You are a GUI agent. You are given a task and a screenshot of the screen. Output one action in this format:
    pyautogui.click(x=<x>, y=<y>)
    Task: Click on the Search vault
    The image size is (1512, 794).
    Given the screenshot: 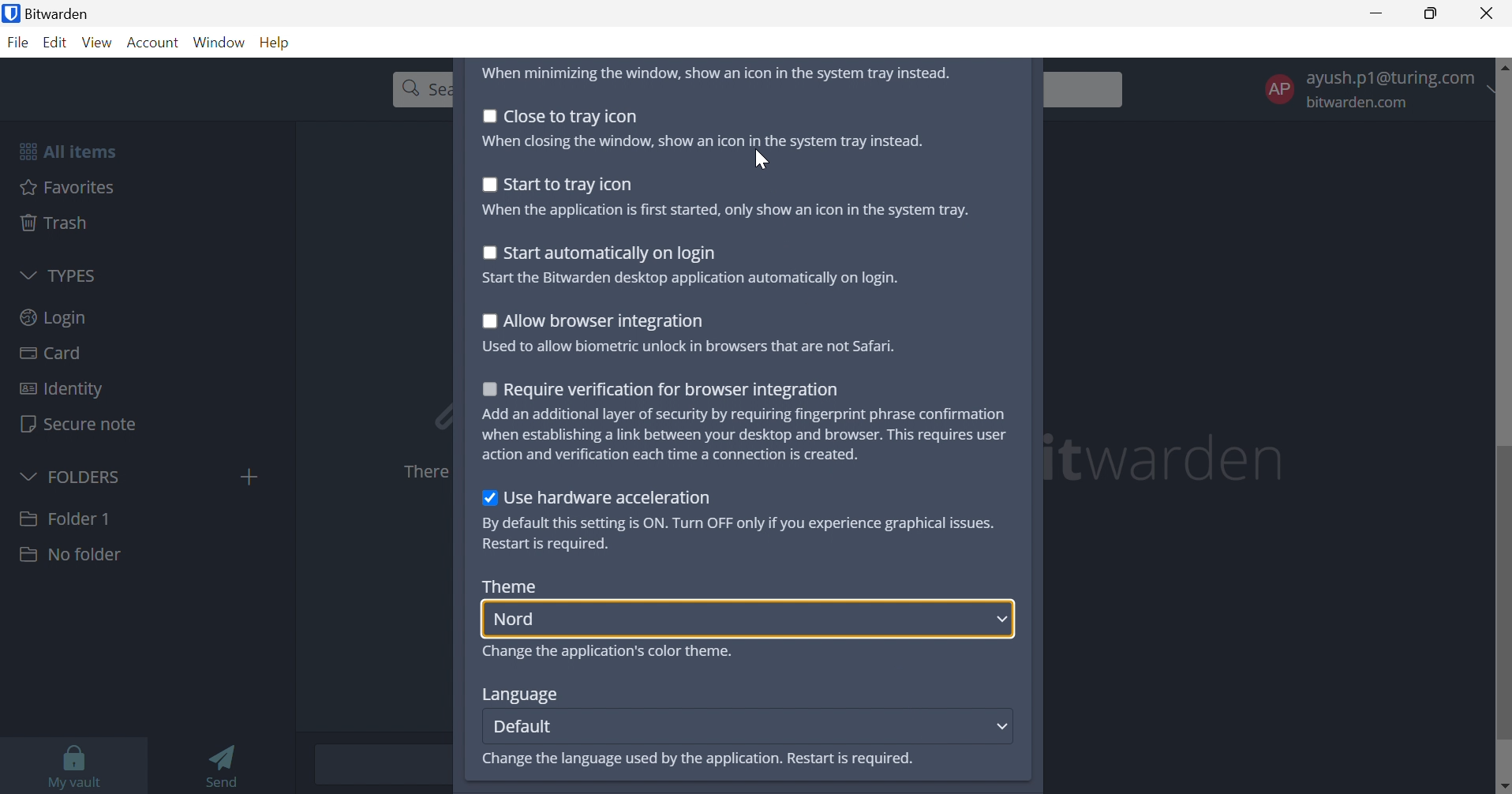 What is the action you would take?
    pyautogui.click(x=417, y=88)
    